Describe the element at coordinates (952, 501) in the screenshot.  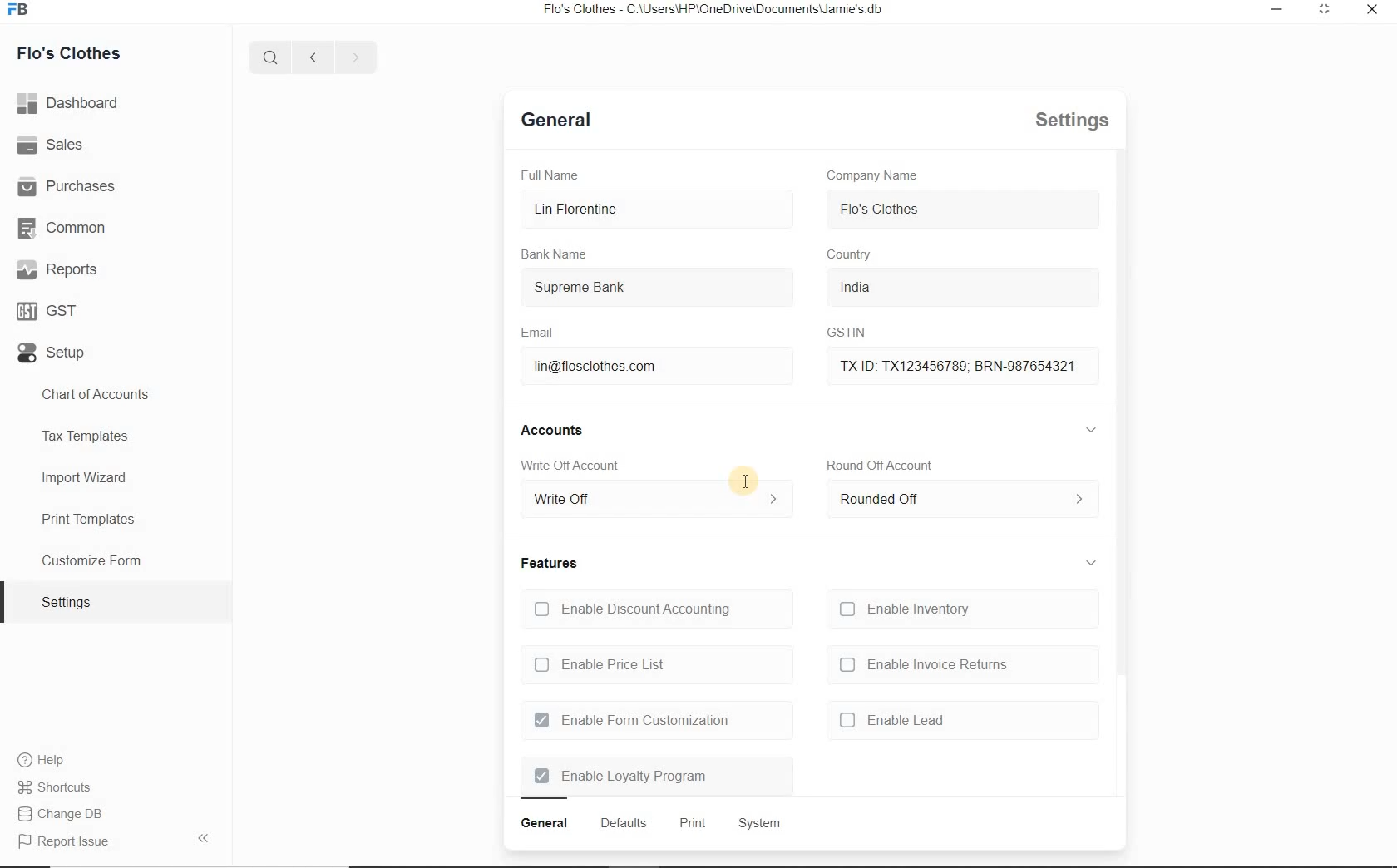
I see `Rounded Off` at that location.